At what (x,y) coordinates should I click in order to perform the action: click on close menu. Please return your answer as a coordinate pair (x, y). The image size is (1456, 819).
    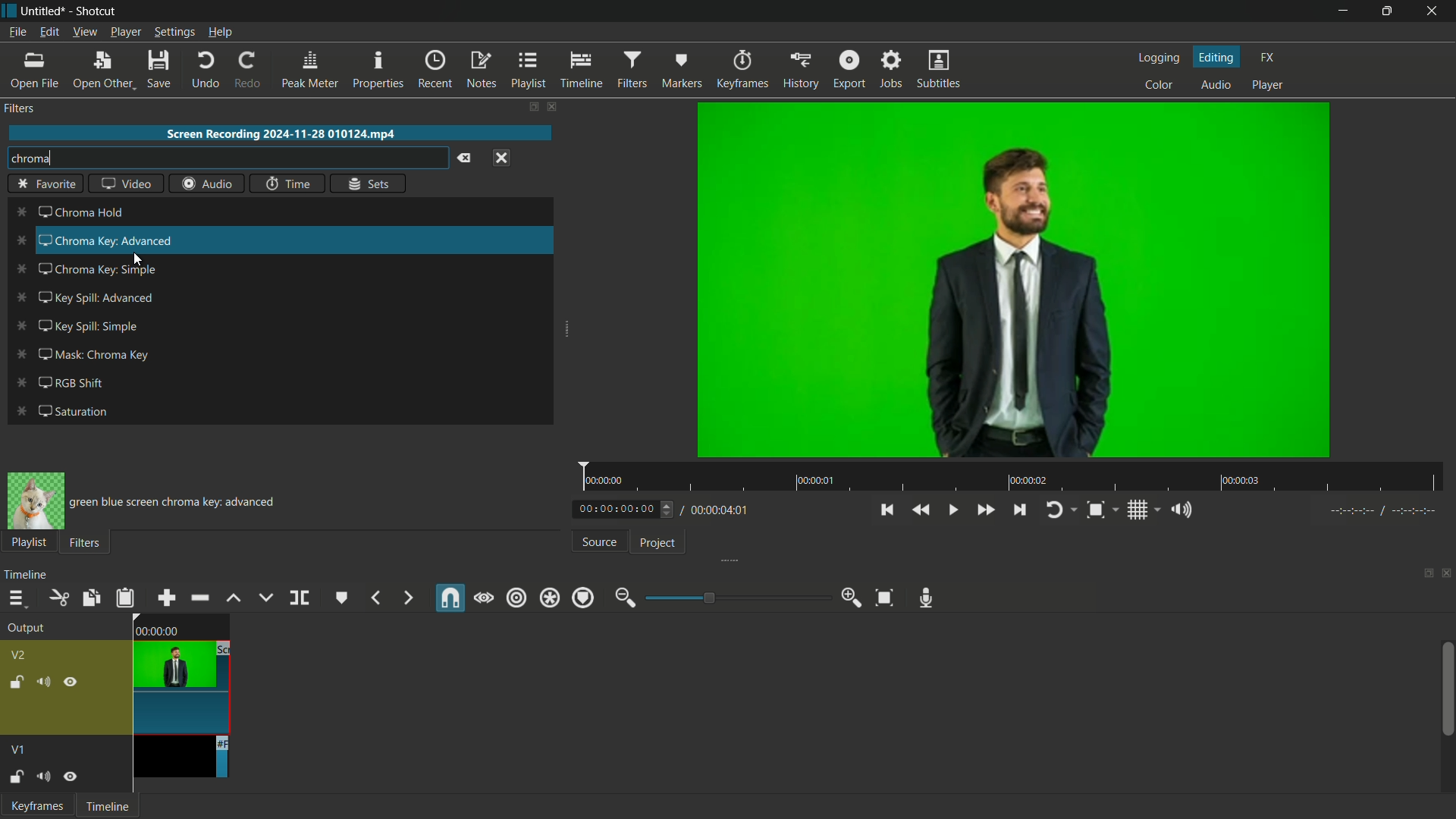
    Looking at the image, I should click on (501, 158).